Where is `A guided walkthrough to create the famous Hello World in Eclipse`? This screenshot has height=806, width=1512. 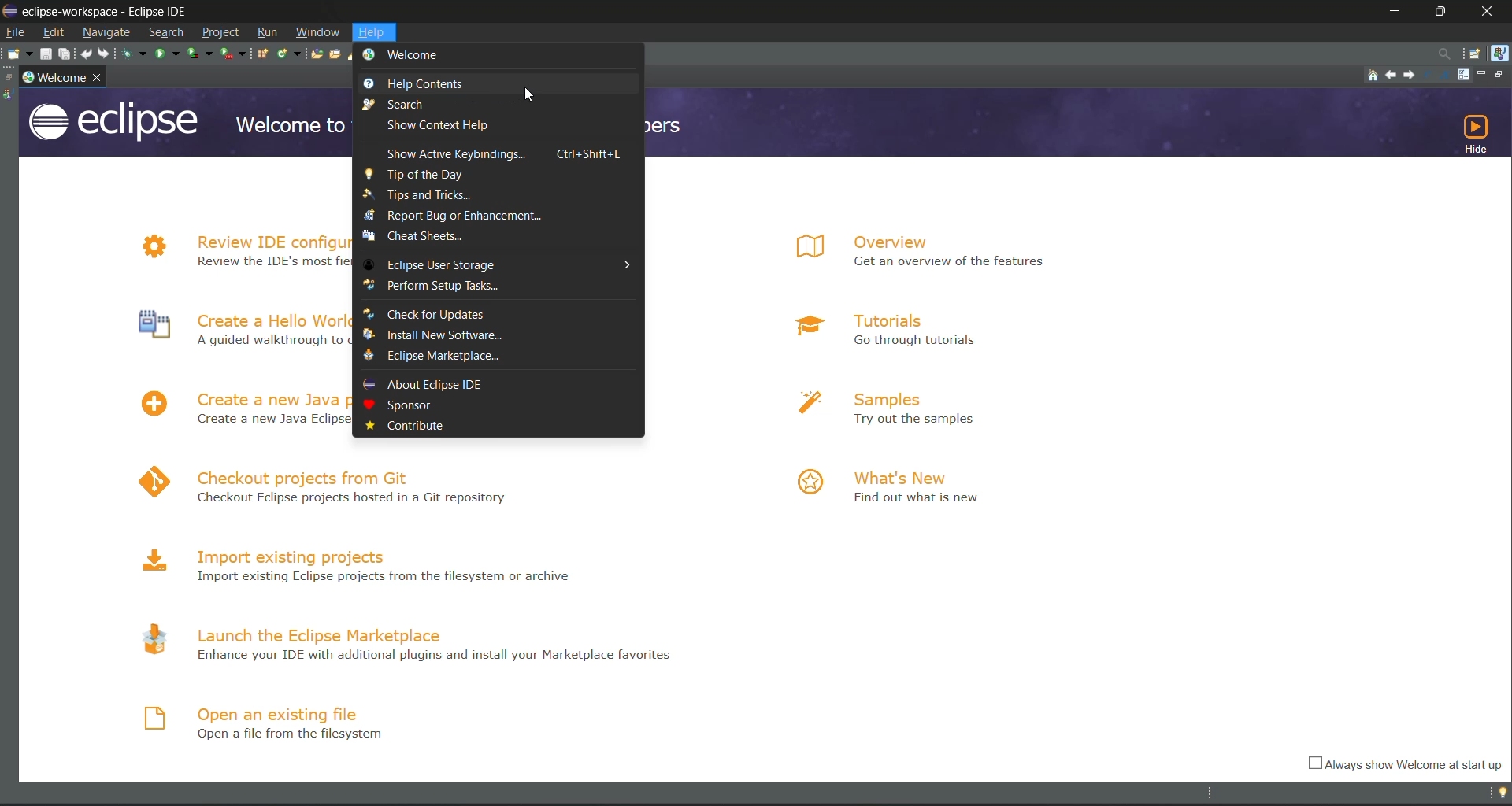
A guided walkthrough to create the famous Hello World in Eclipse is located at coordinates (273, 345).